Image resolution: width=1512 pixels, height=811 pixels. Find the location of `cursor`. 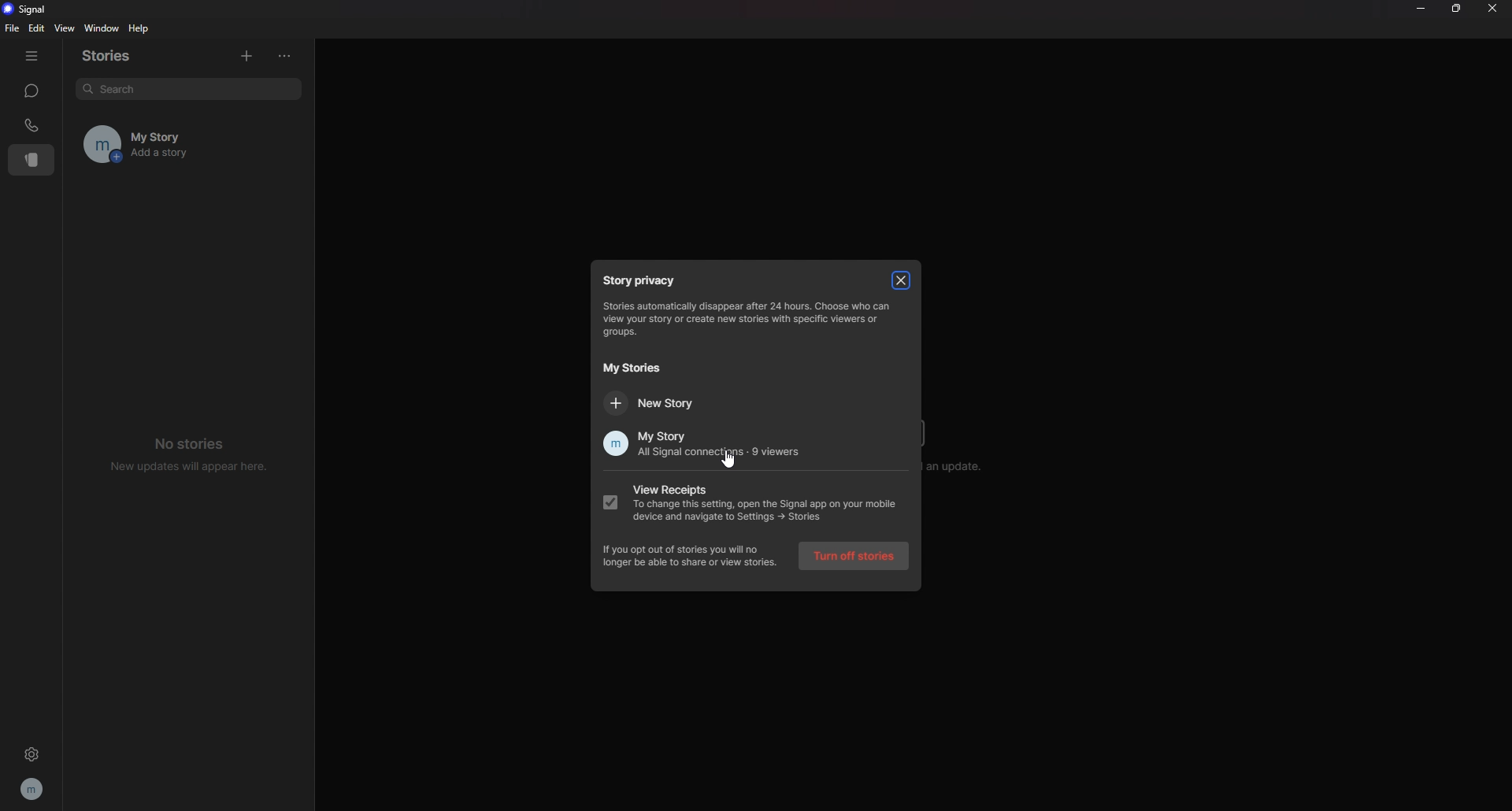

cursor is located at coordinates (730, 461).